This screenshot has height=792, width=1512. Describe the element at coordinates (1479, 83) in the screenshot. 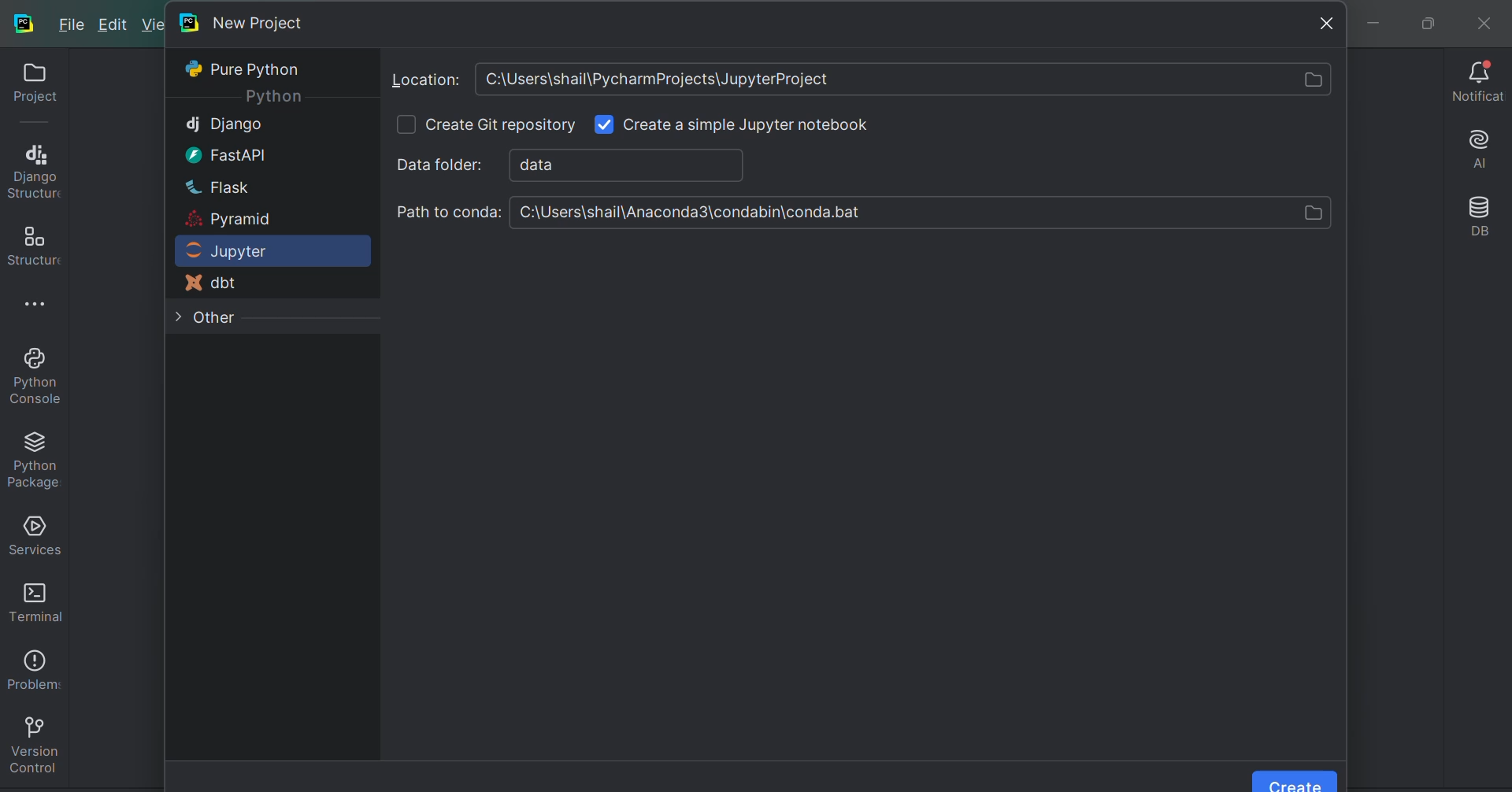

I see `Notifications` at that location.